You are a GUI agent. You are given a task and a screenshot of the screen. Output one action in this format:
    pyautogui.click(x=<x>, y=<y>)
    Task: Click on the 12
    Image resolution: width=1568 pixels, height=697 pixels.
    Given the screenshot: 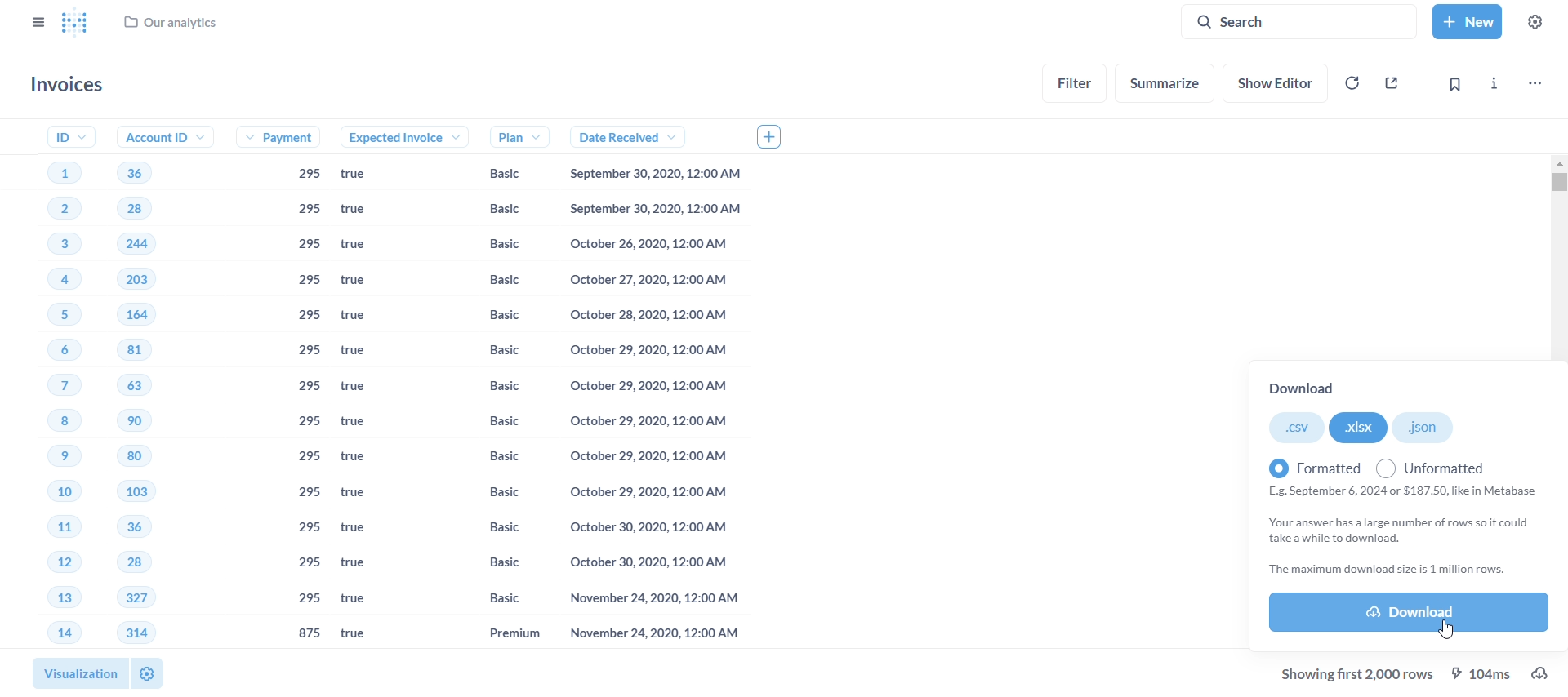 What is the action you would take?
    pyautogui.click(x=45, y=562)
    